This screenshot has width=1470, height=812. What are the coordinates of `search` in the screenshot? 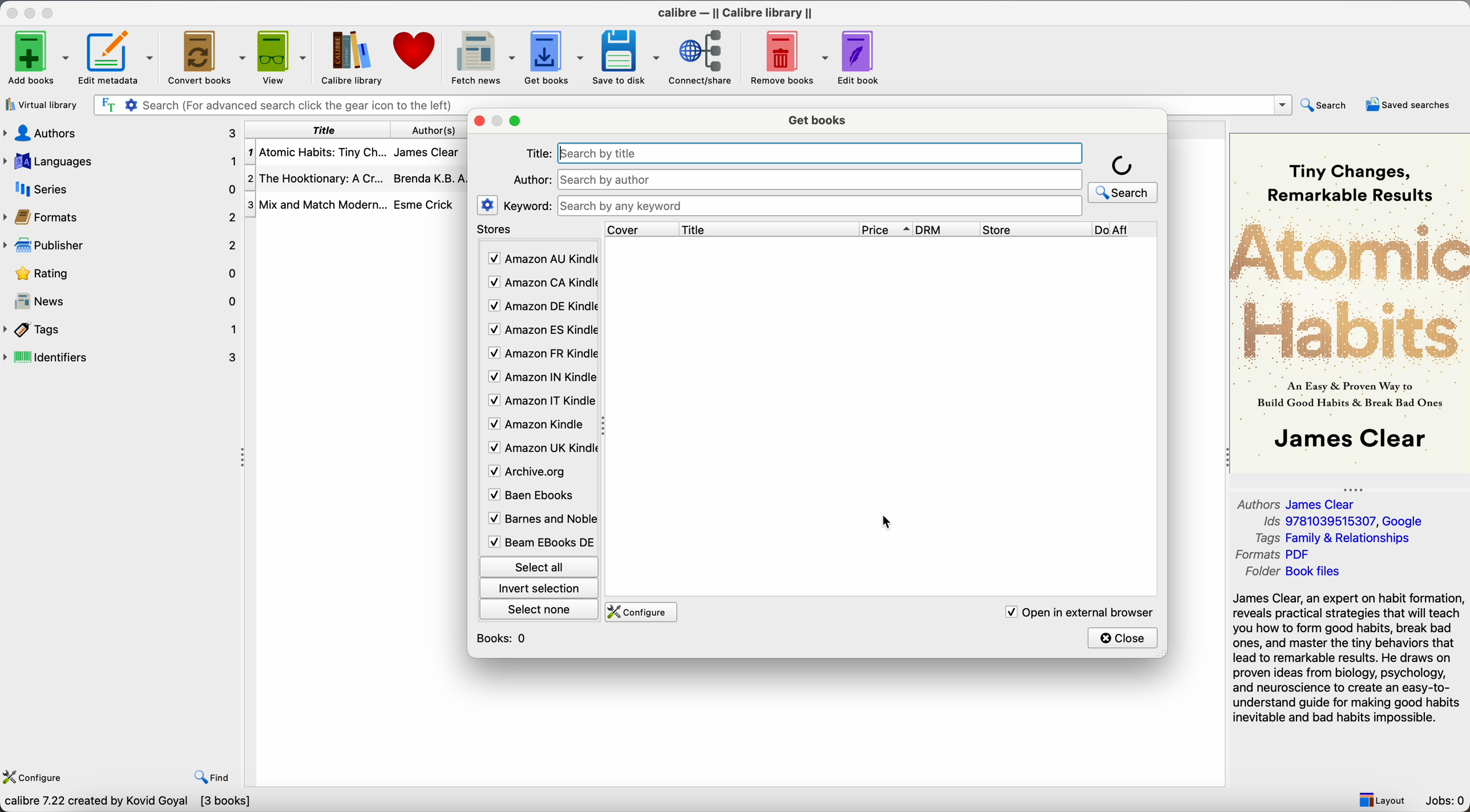 It's located at (1122, 192).